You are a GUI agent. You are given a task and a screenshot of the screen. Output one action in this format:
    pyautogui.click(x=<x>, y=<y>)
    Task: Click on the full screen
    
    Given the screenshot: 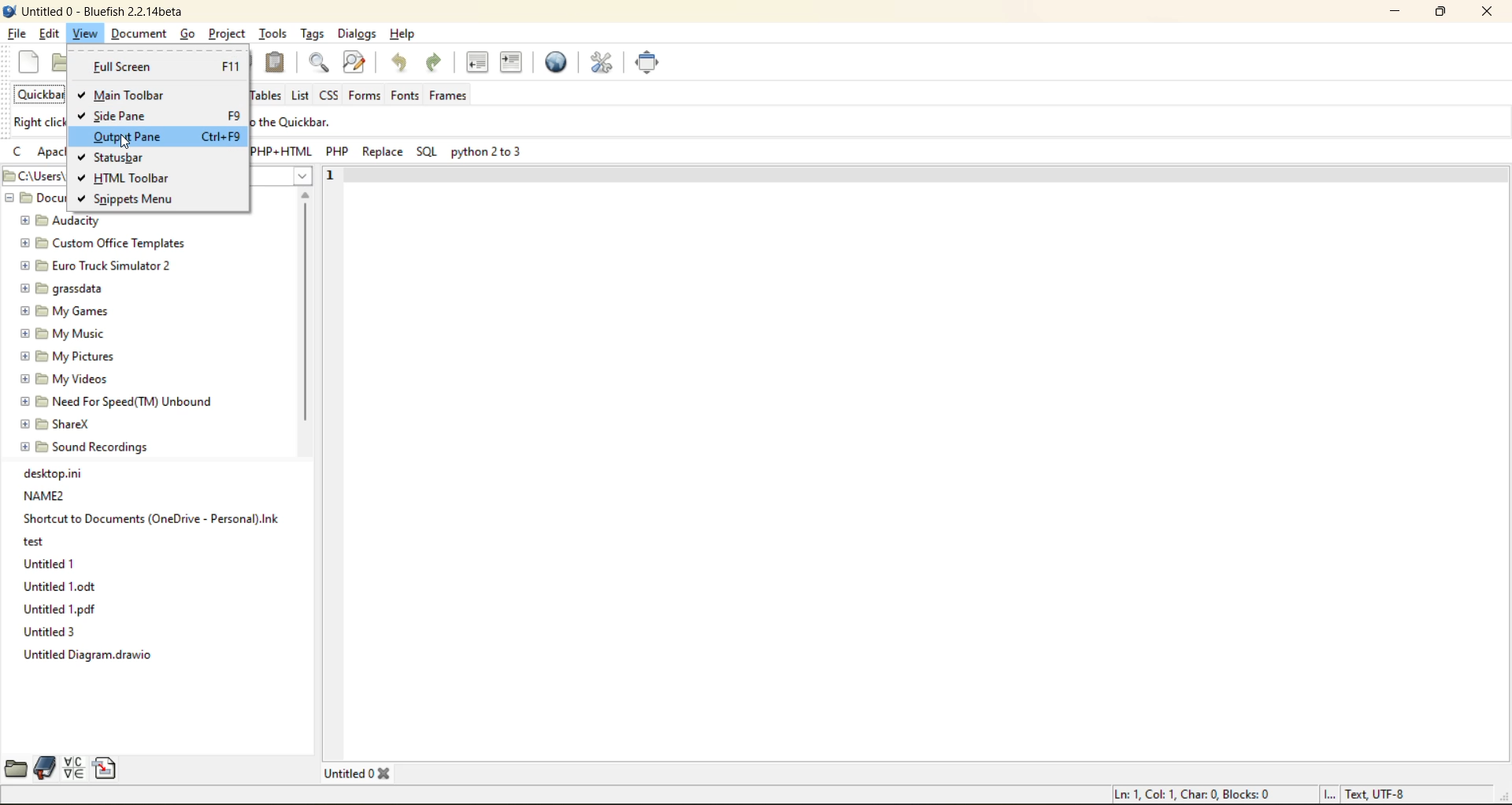 What is the action you would take?
    pyautogui.click(x=651, y=62)
    